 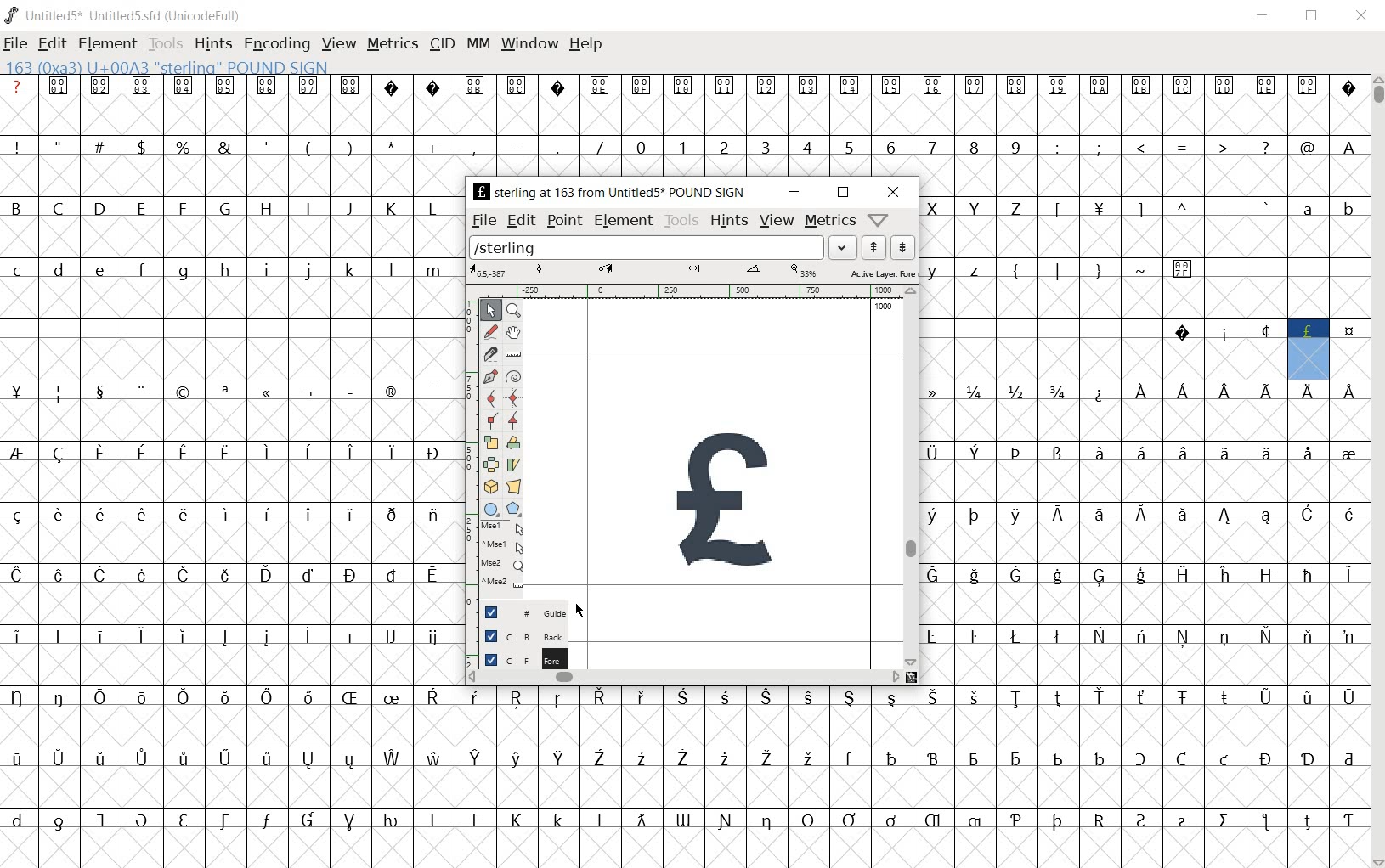 What do you see at coordinates (639, 820) in the screenshot?
I see `Symbol` at bounding box center [639, 820].